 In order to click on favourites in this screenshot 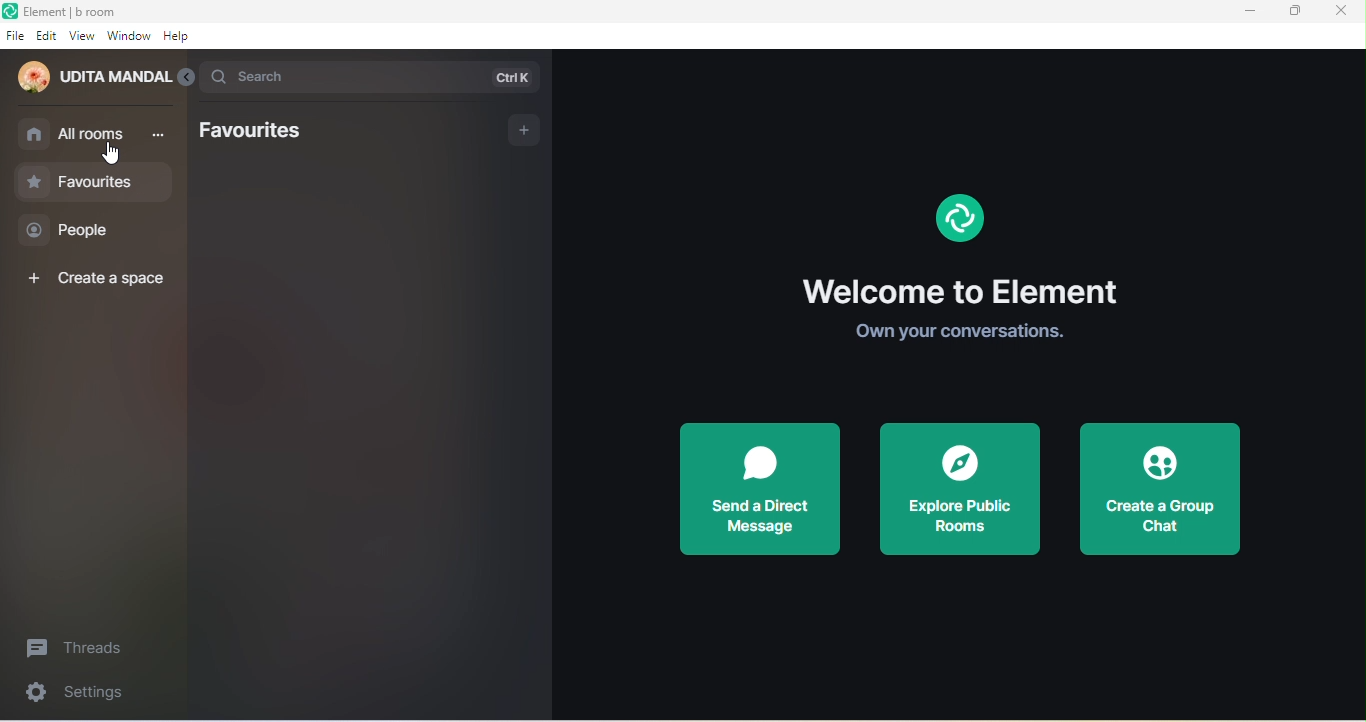, I will do `click(259, 132)`.